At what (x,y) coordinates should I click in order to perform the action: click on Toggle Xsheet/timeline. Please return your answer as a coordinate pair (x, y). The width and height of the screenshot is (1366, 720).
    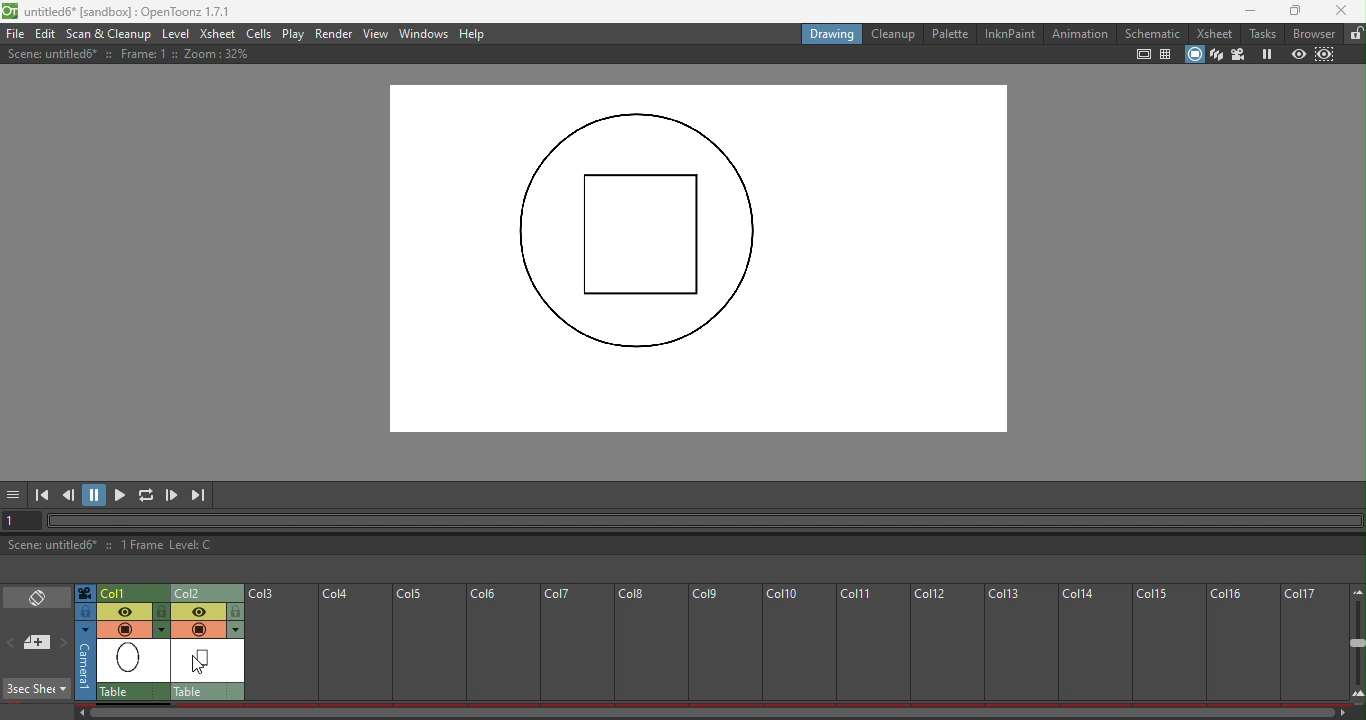
    Looking at the image, I should click on (39, 597).